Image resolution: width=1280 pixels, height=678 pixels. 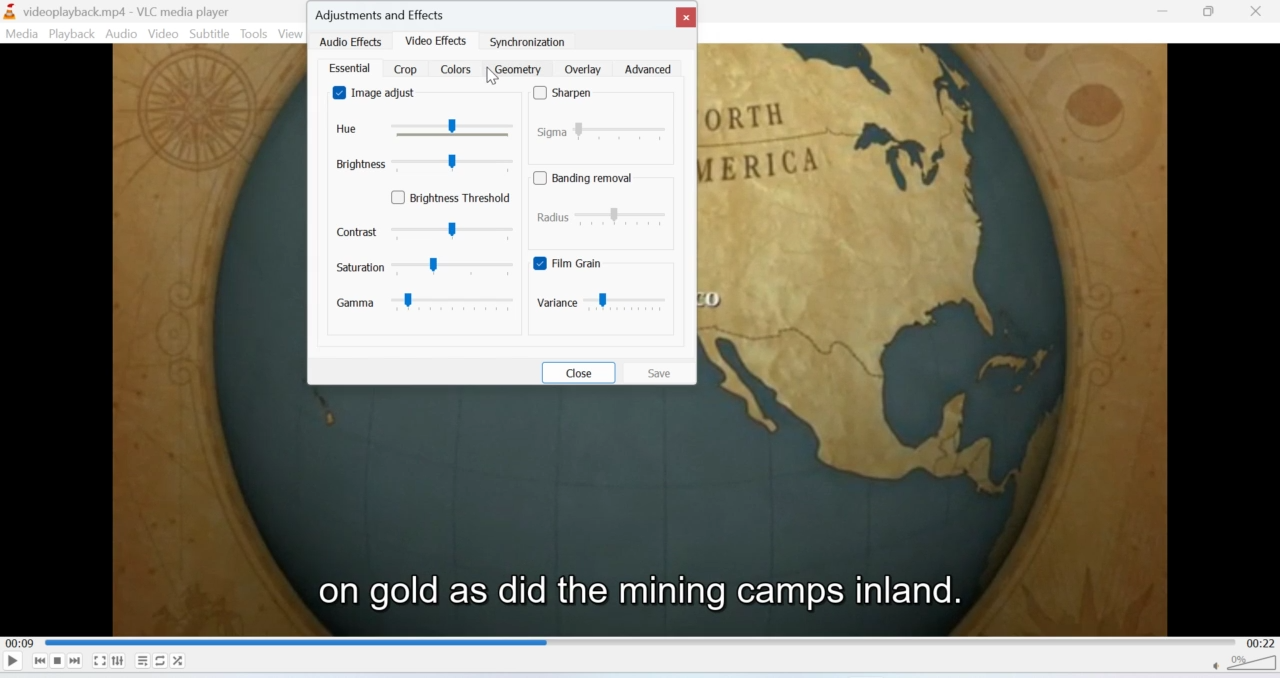 I want to click on View, so click(x=291, y=34).